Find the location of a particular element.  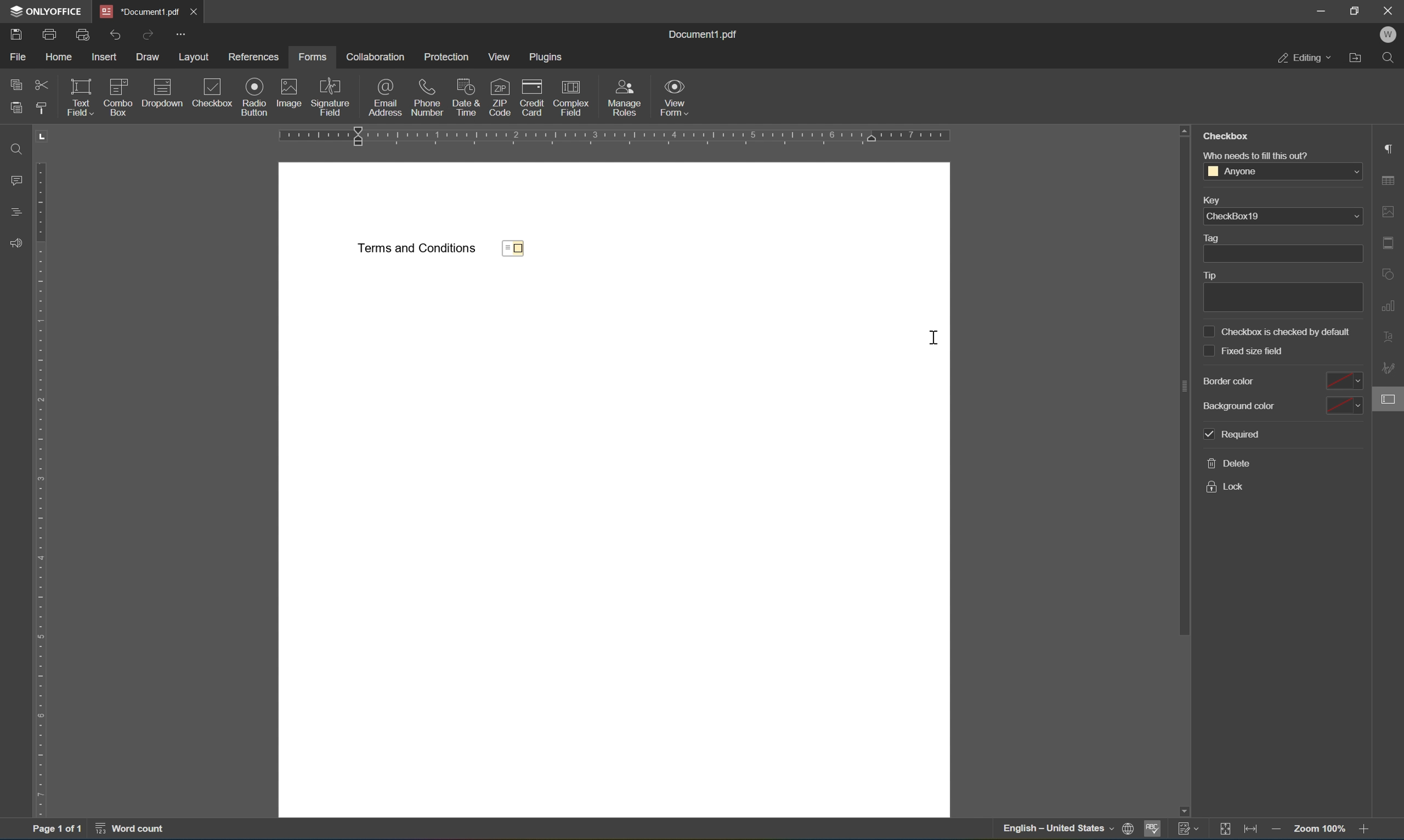

paste is located at coordinates (19, 109).